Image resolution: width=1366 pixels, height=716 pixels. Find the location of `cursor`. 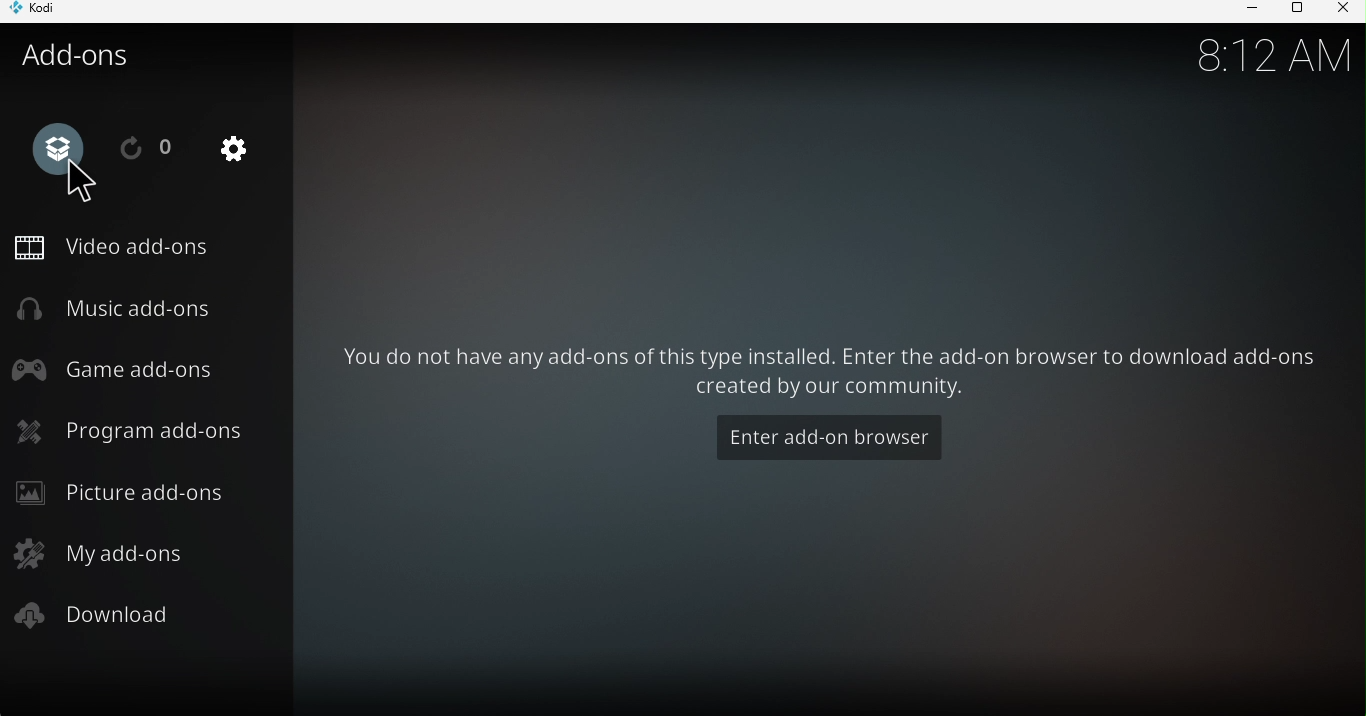

cursor is located at coordinates (84, 185).